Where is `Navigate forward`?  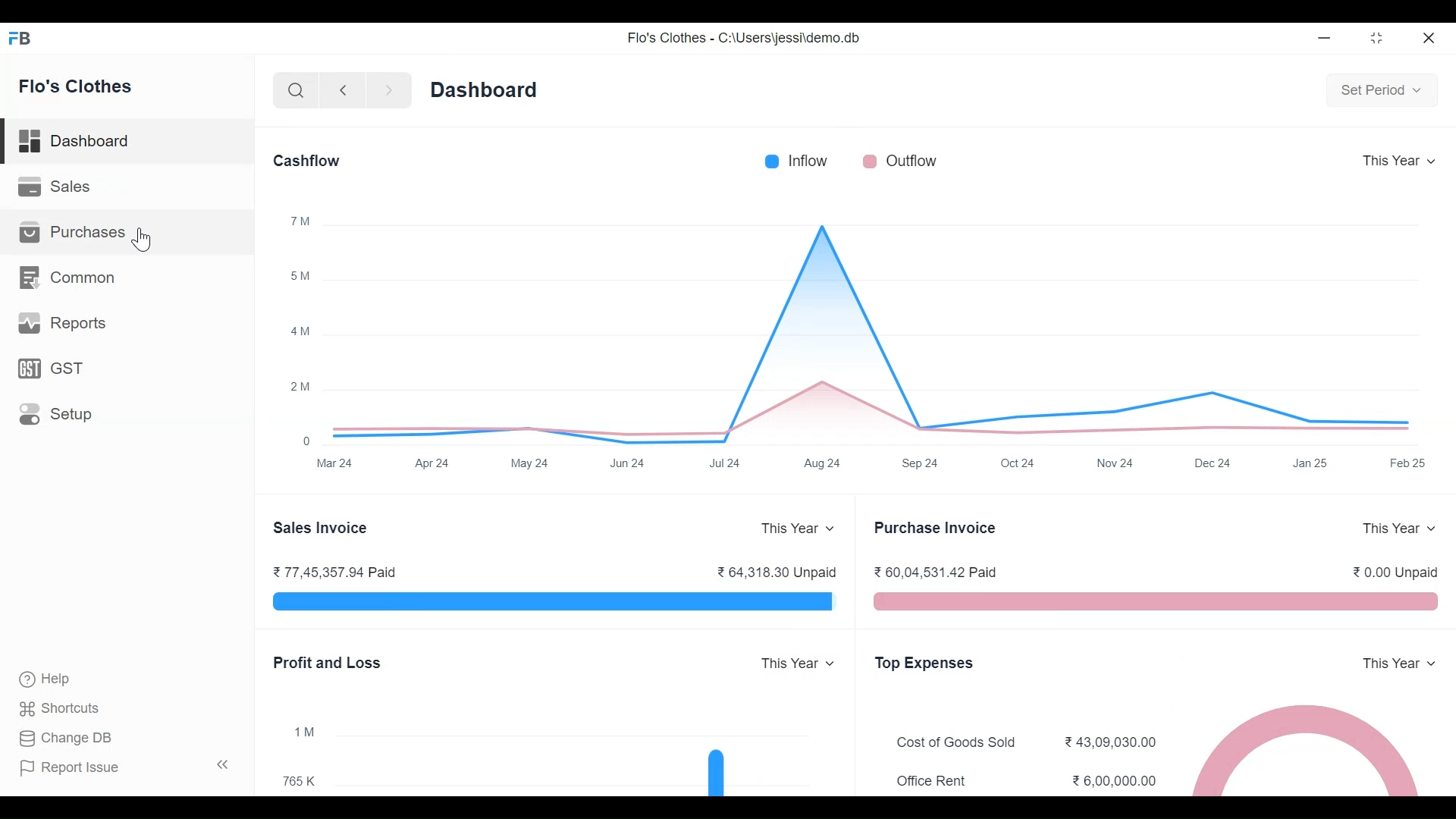
Navigate forward is located at coordinates (388, 91).